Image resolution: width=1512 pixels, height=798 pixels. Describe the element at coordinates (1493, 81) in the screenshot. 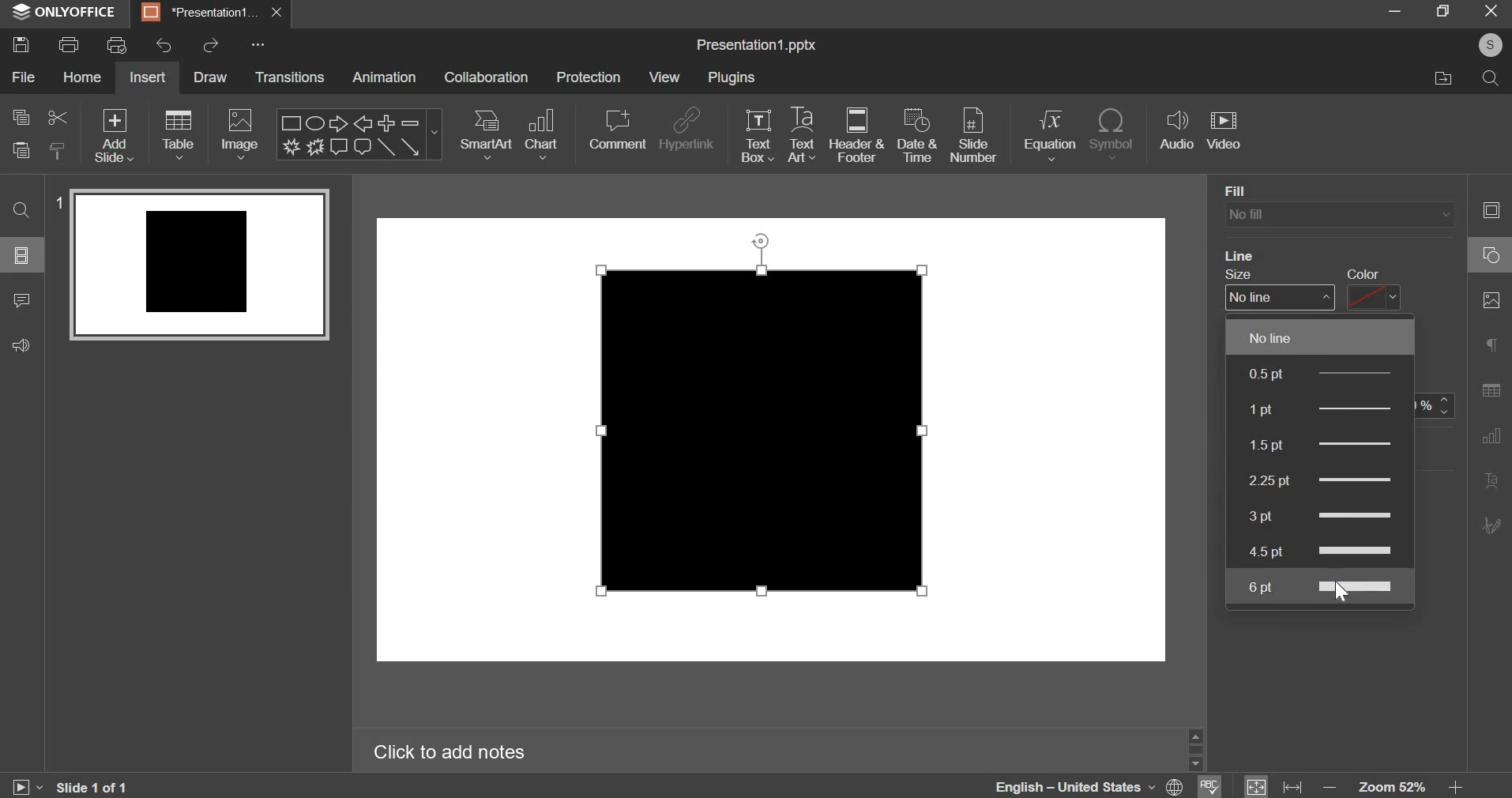

I see `search` at that location.